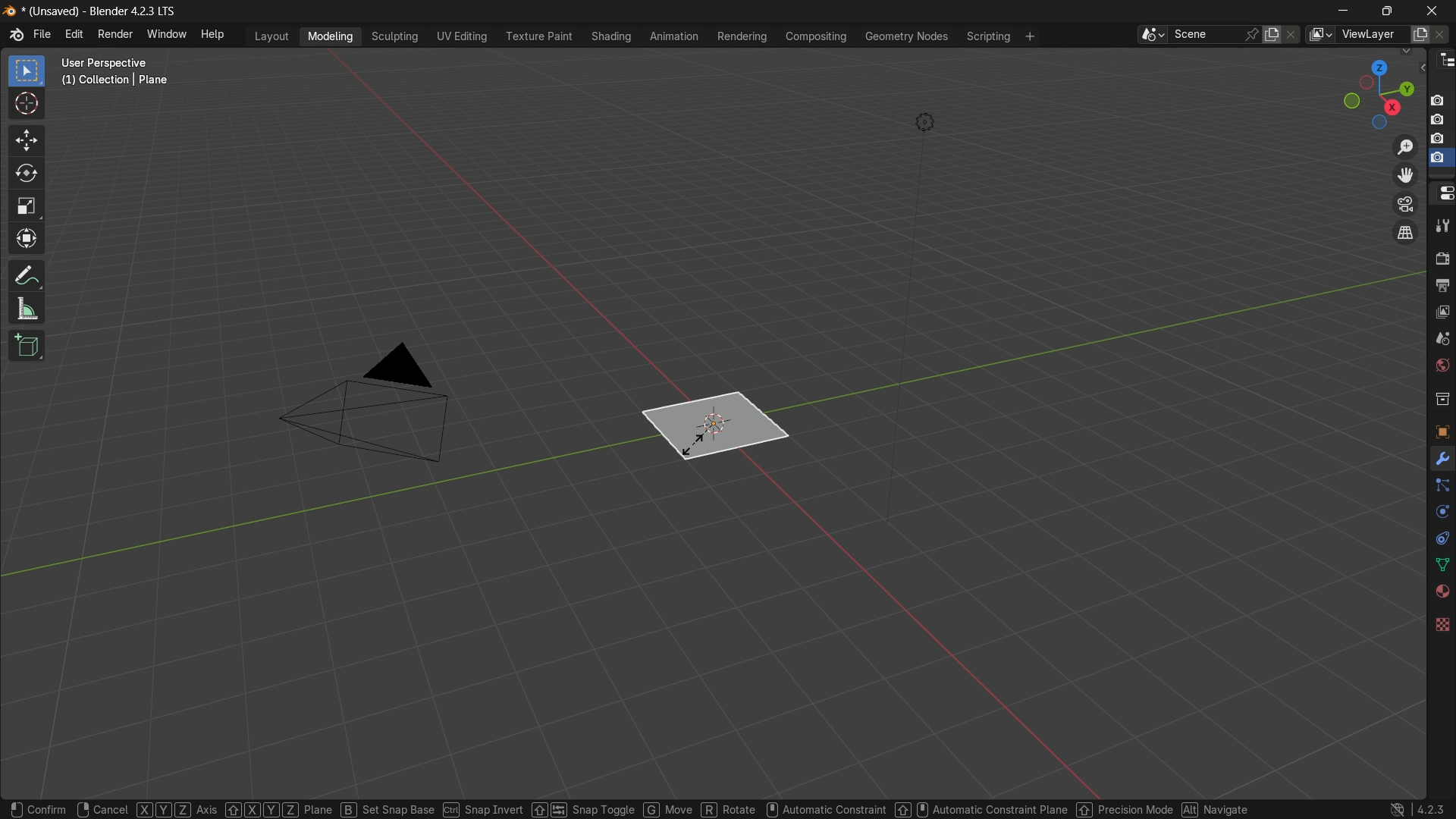 The height and width of the screenshot is (819, 1456). I want to click on view layer, so click(1441, 311).